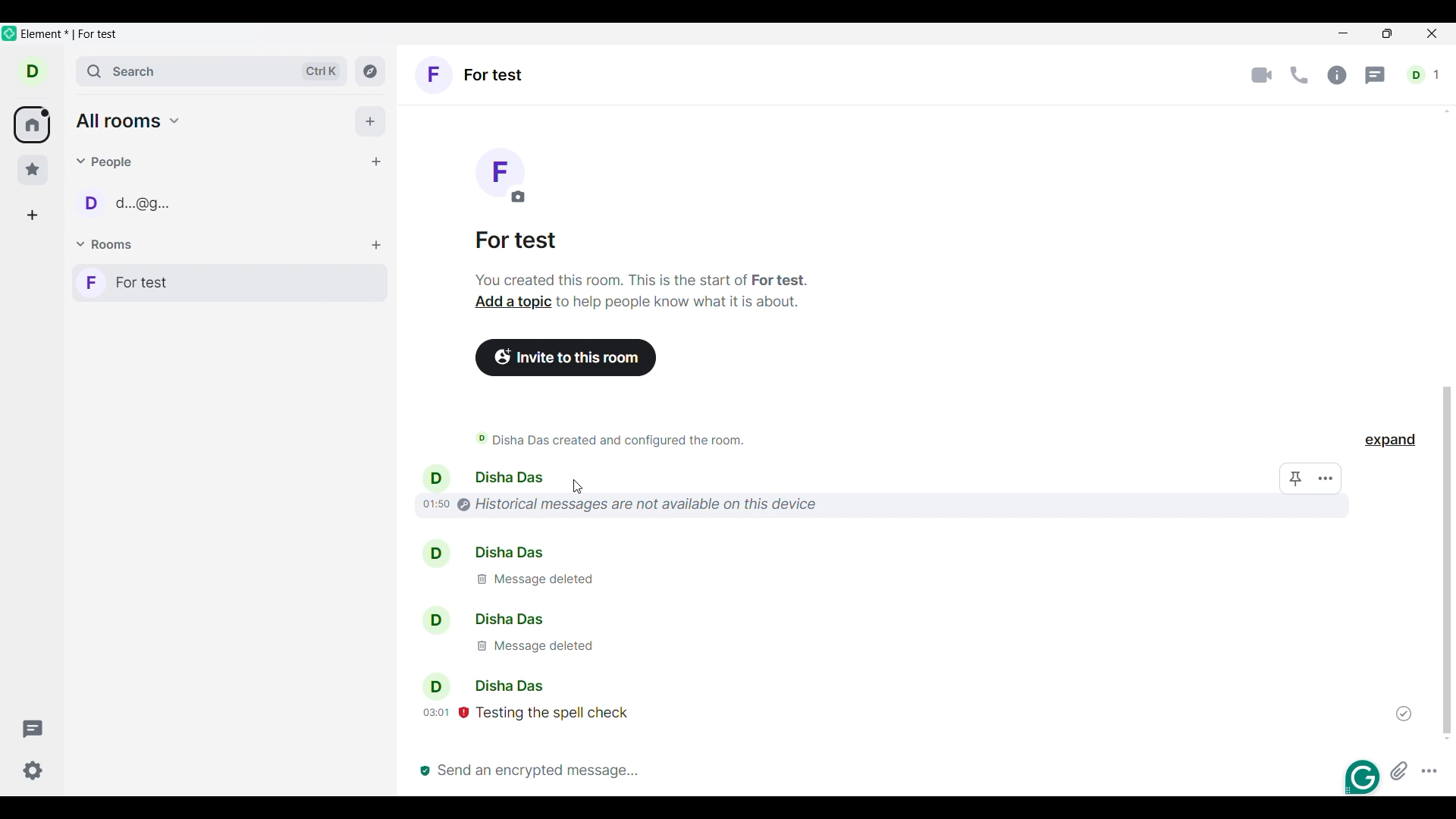 This screenshot has height=819, width=1456. I want to click on More options, so click(1429, 770).